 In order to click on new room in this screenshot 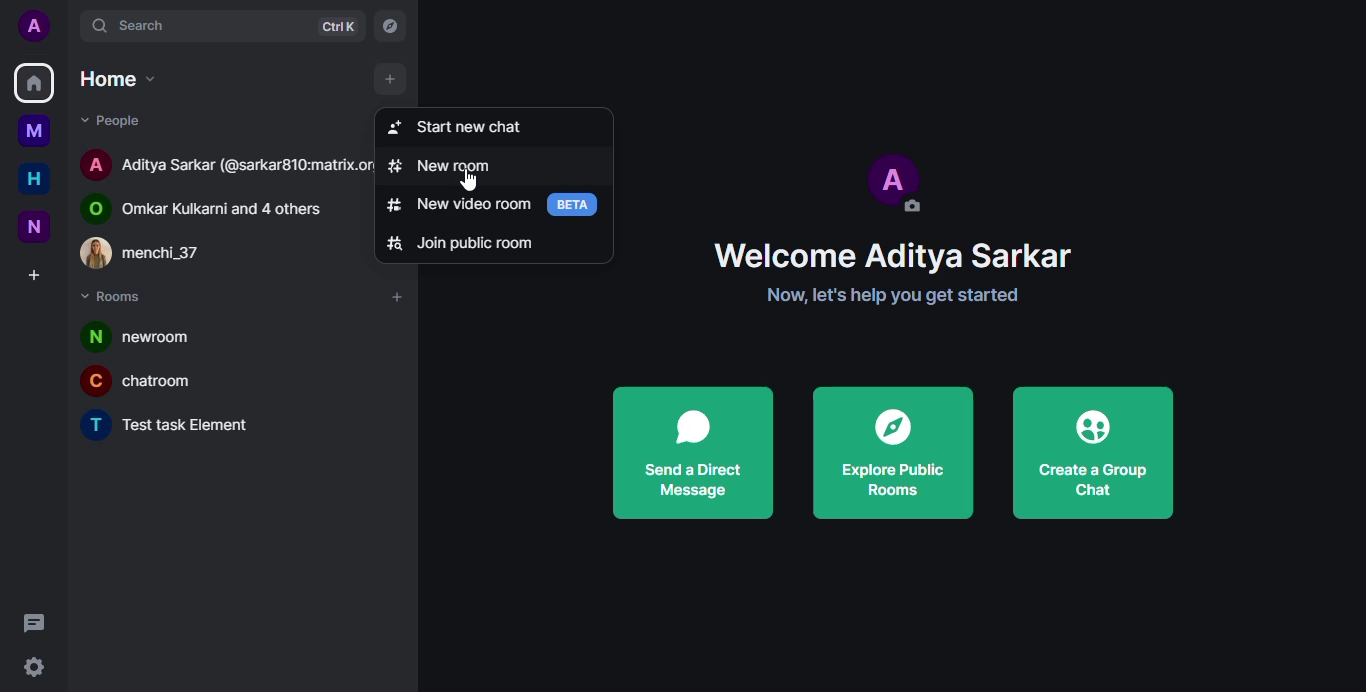, I will do `click(447, 166)`.